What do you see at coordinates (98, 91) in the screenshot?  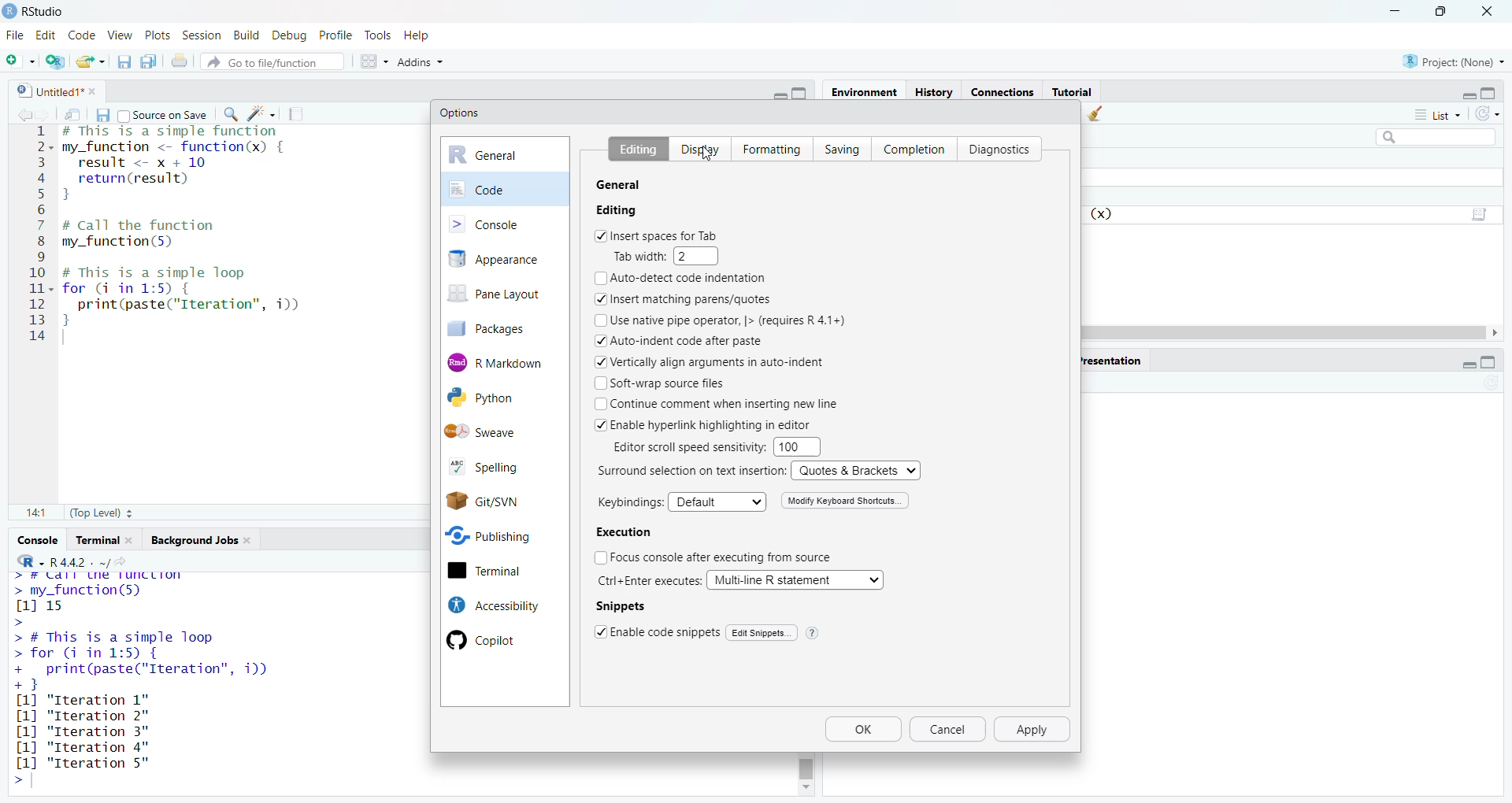 I see `close` at bounding box center [98, 91].